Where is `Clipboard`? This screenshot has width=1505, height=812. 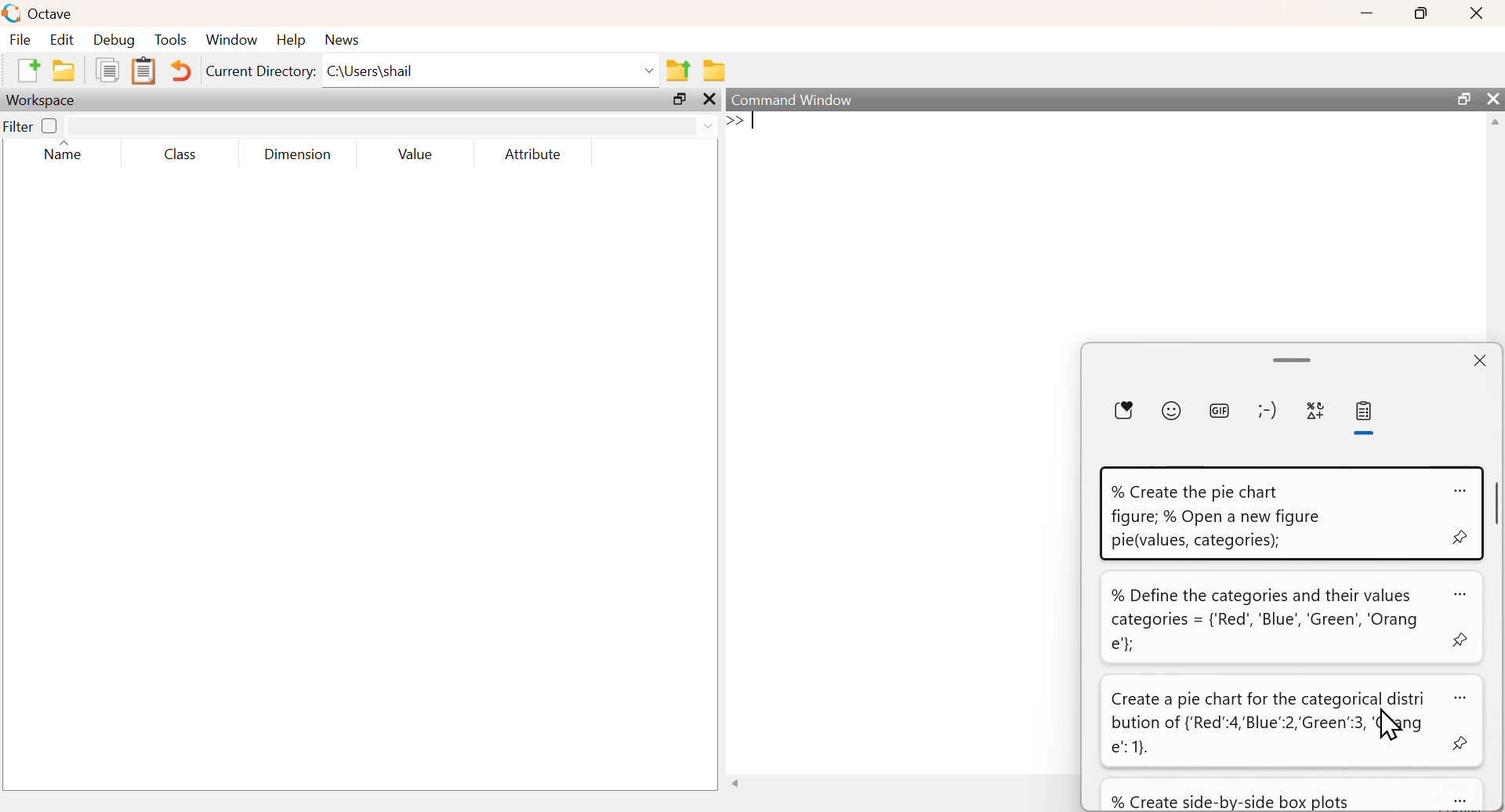
Clipboard is located at coordinates (143, 71).